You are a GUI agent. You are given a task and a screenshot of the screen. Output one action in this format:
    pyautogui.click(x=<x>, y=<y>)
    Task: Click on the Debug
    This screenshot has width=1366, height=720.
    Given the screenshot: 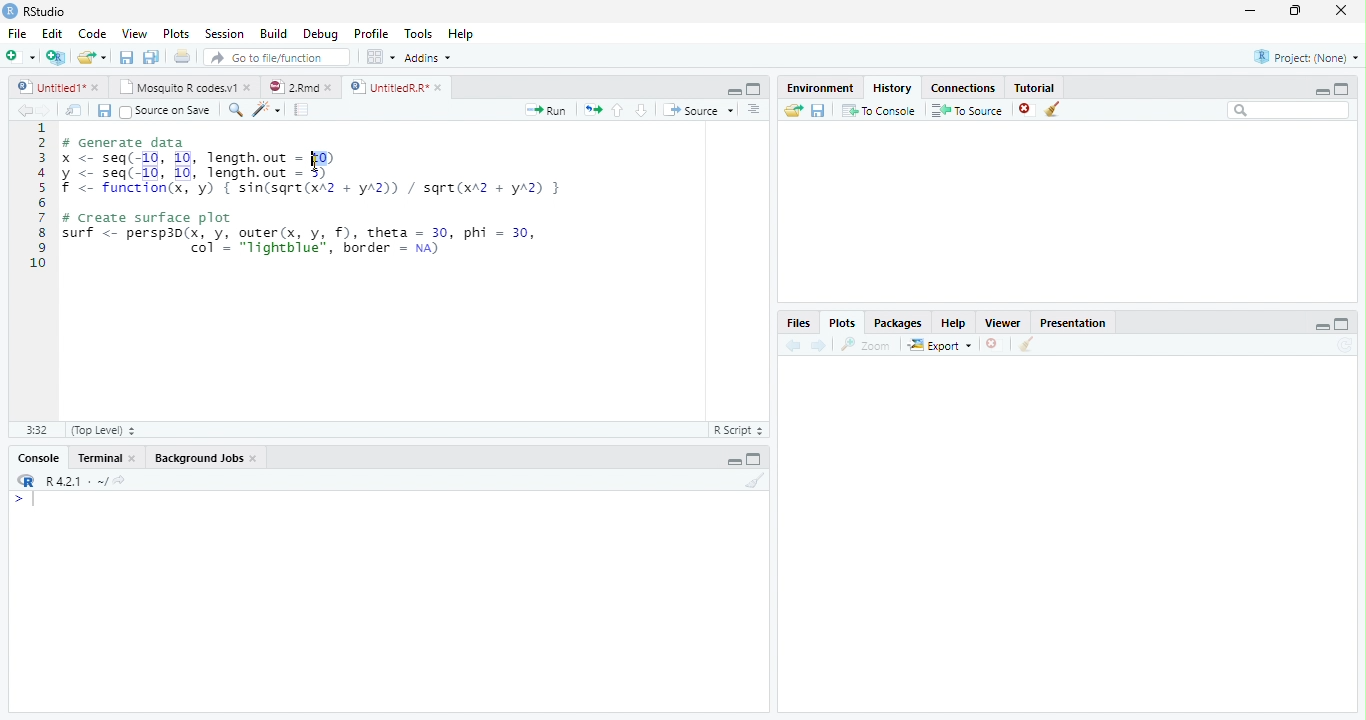 What is the action you would take?
    pyautogui.click(x=320, y=33)
    